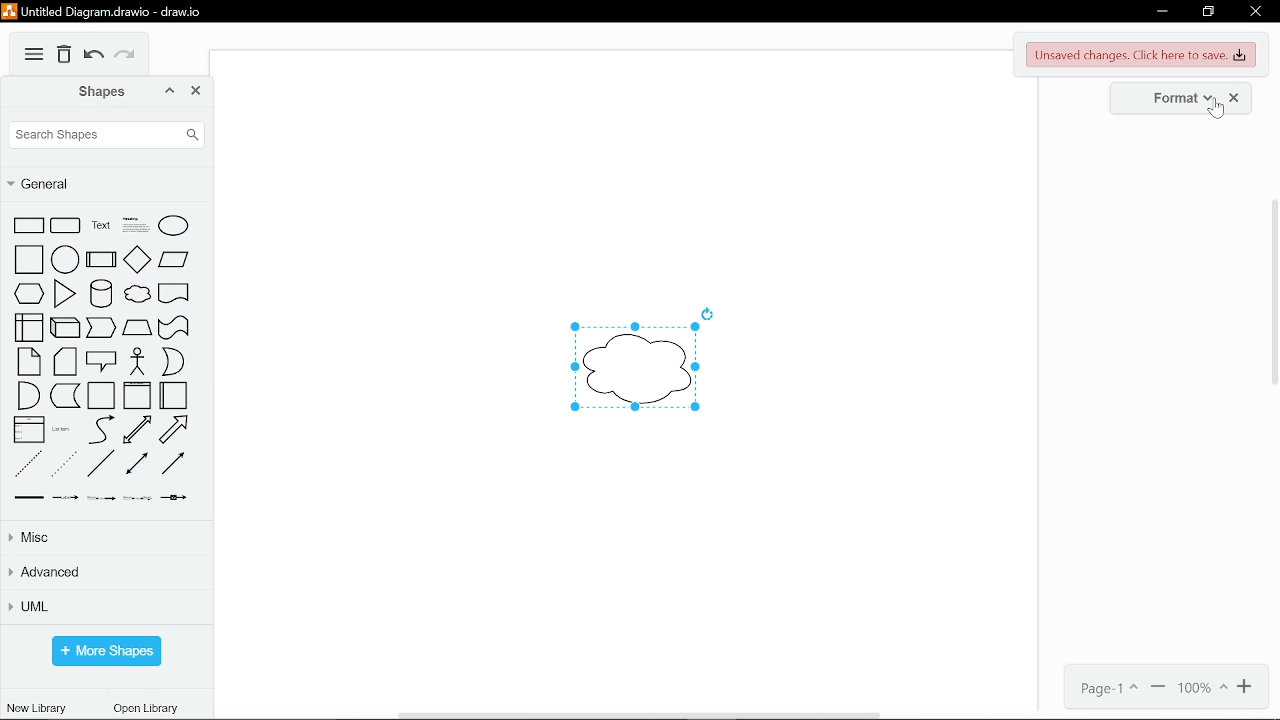 The height and width of the screenshot is (720, 1280). What do you see at coordinates (65, 260) in the screenshot?
I see `circle` at bounding box center [65, 260].